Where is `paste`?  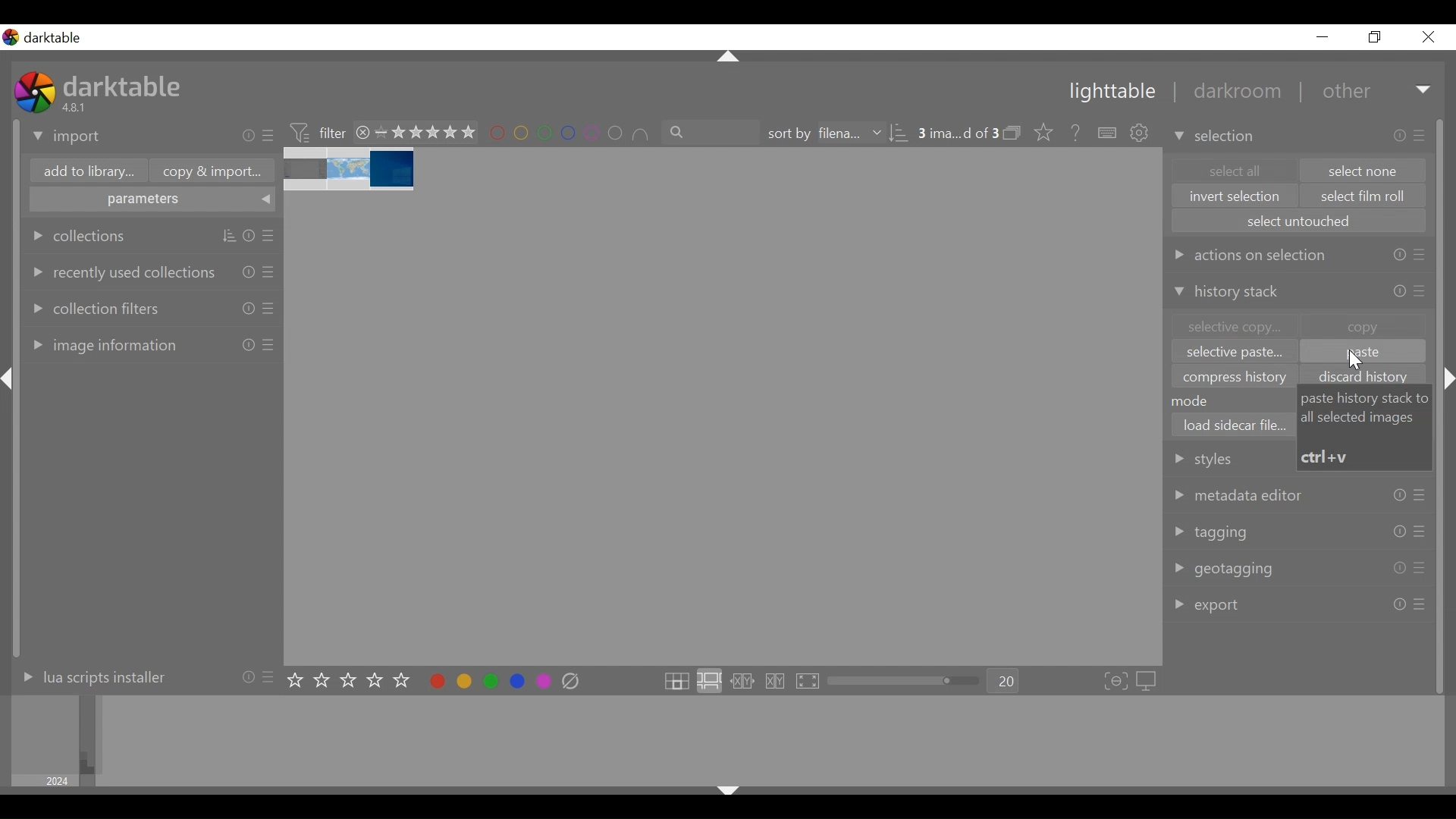
paste is located at coordinates (1362, 353).